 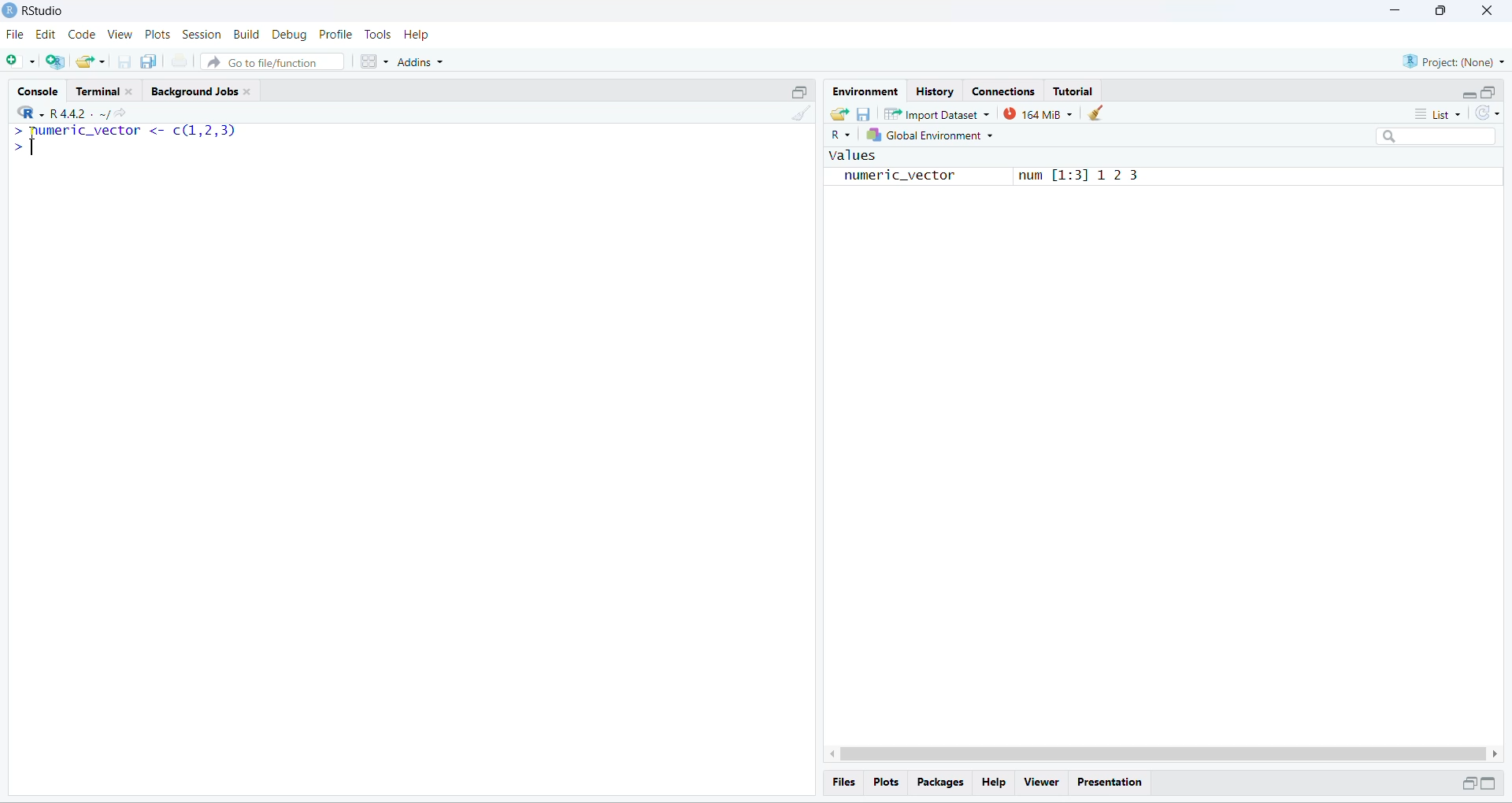 I want to click on Background Jobs, so click(x=205, y=90).